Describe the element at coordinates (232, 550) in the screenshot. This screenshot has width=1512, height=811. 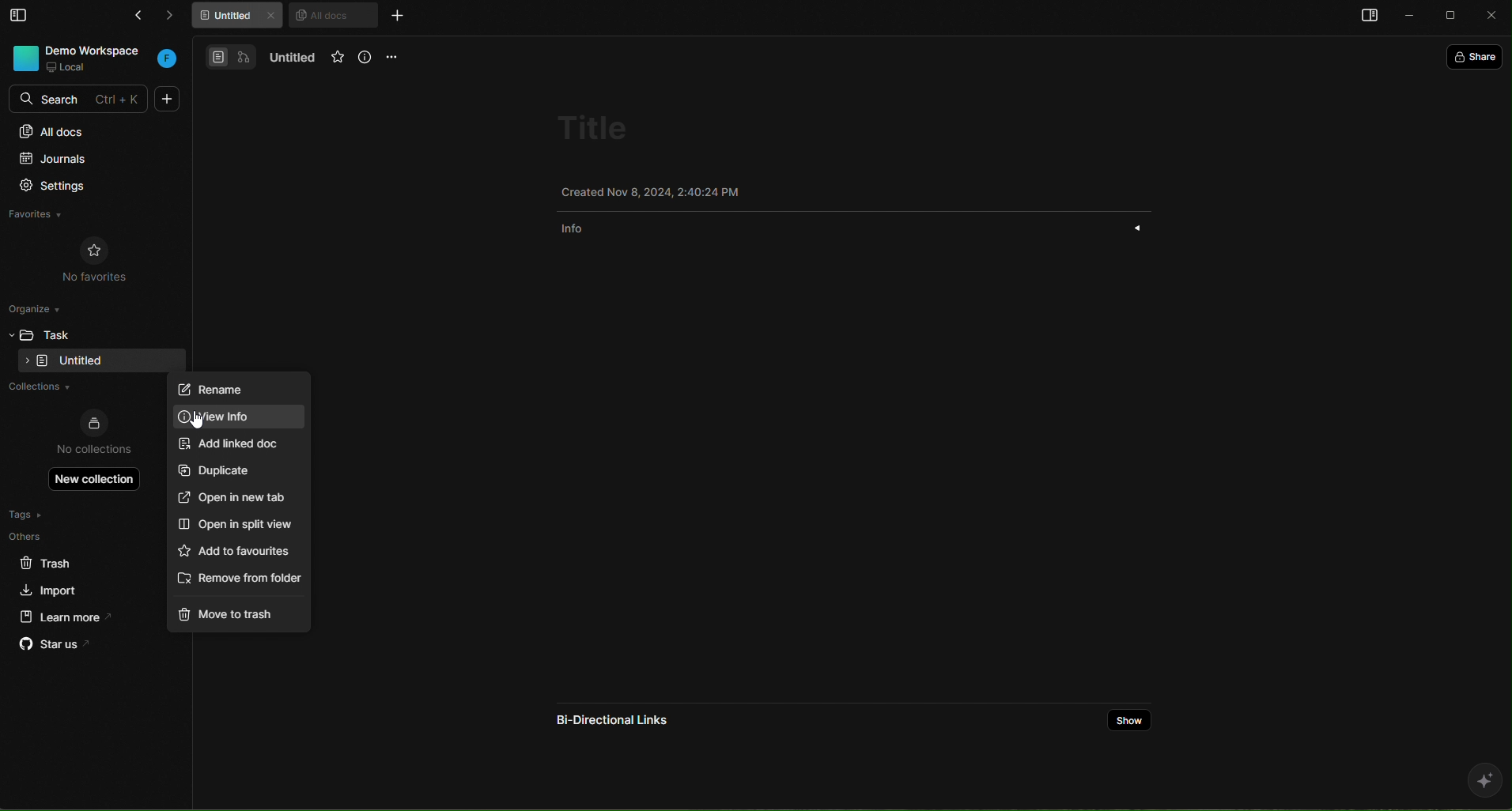
I see `add to favourites` at that location.